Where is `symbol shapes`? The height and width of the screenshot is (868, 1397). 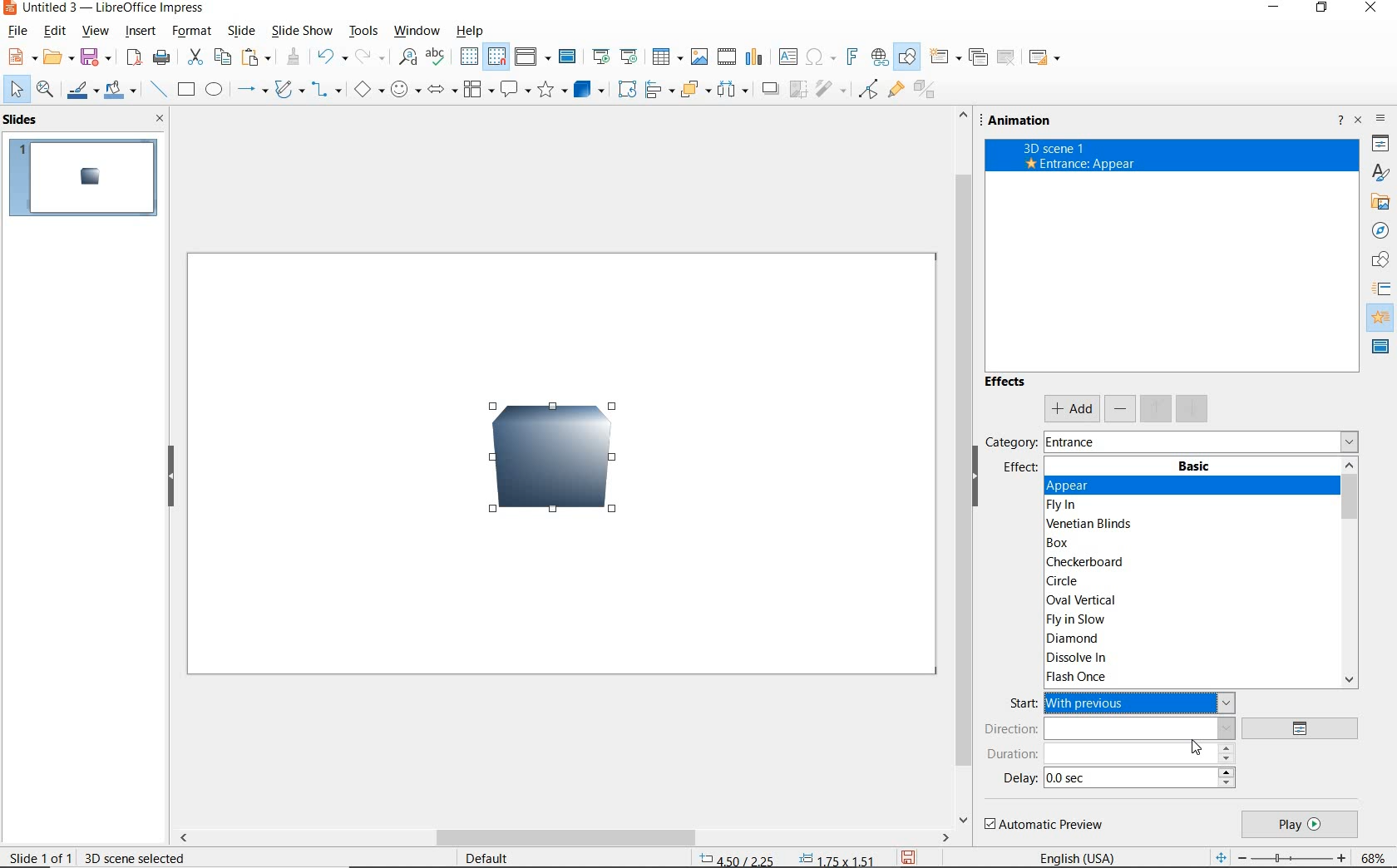 symbol shapes is located at coordinates (404, 90).